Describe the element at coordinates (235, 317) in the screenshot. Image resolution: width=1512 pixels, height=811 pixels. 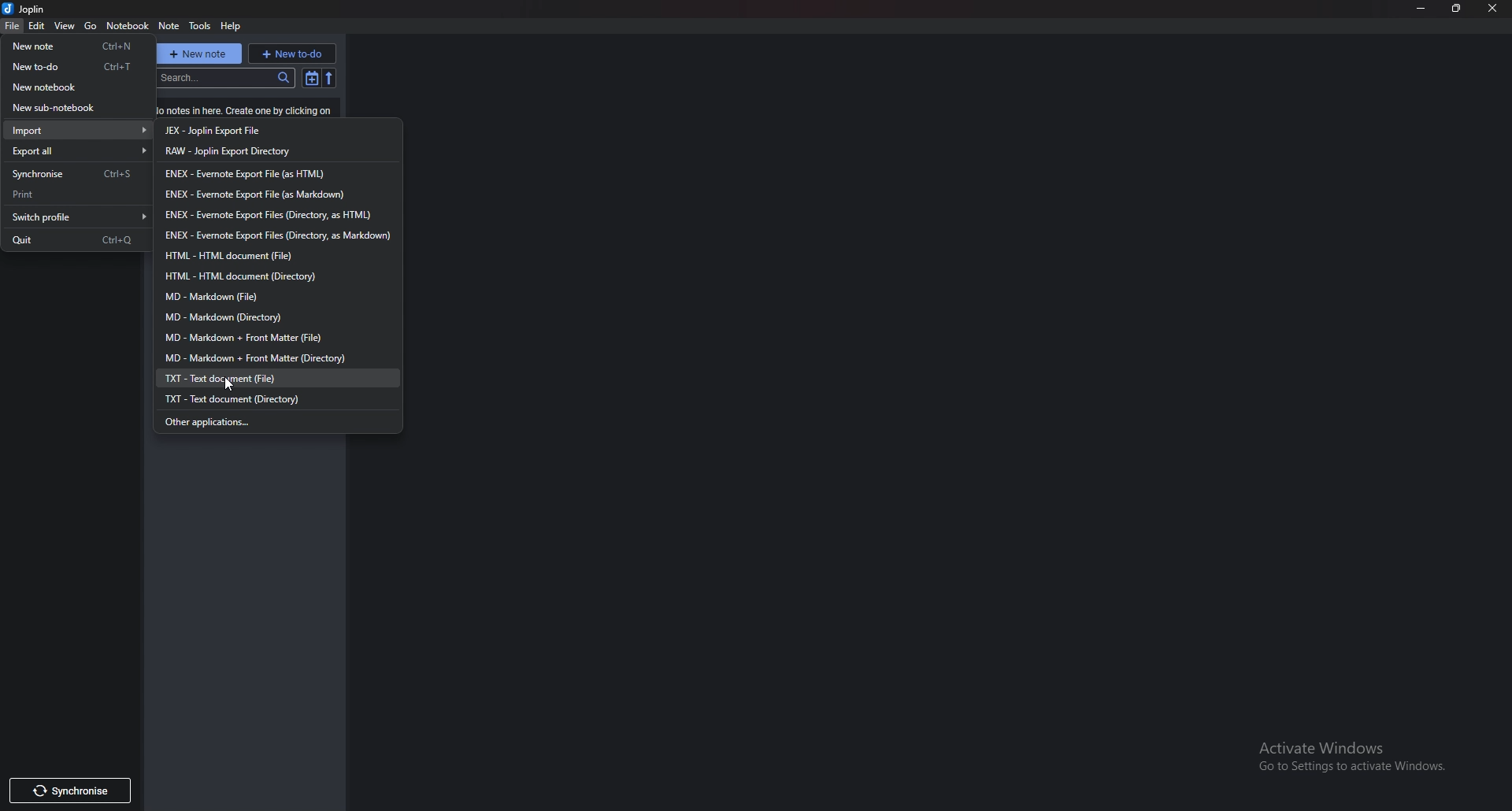
I see `markdown directory` at that location.